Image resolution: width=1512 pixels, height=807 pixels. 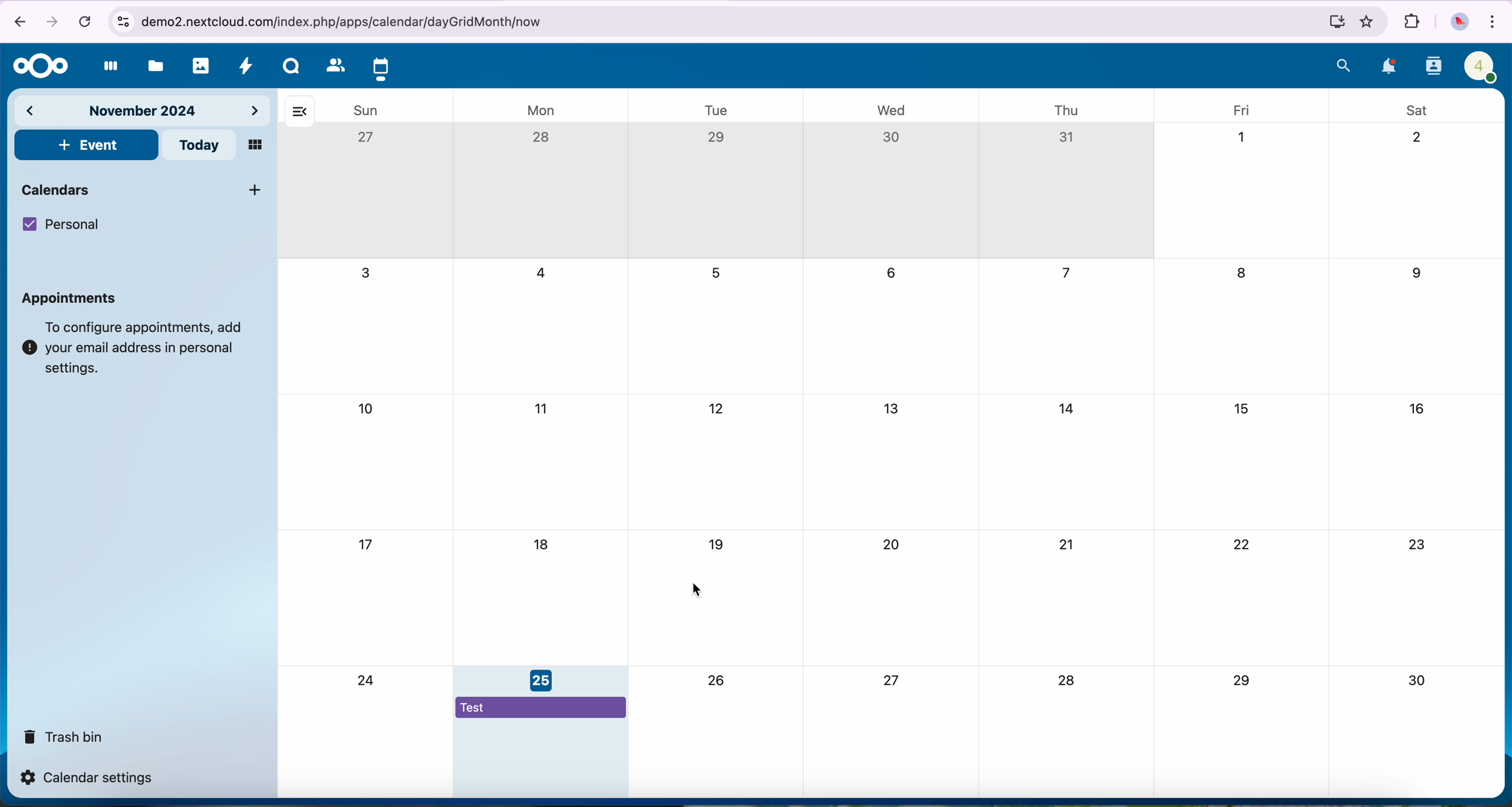 What do you see at coordinates (697, 588) in the screenshot?
I see `cursor` at bounding box center [697, 588].